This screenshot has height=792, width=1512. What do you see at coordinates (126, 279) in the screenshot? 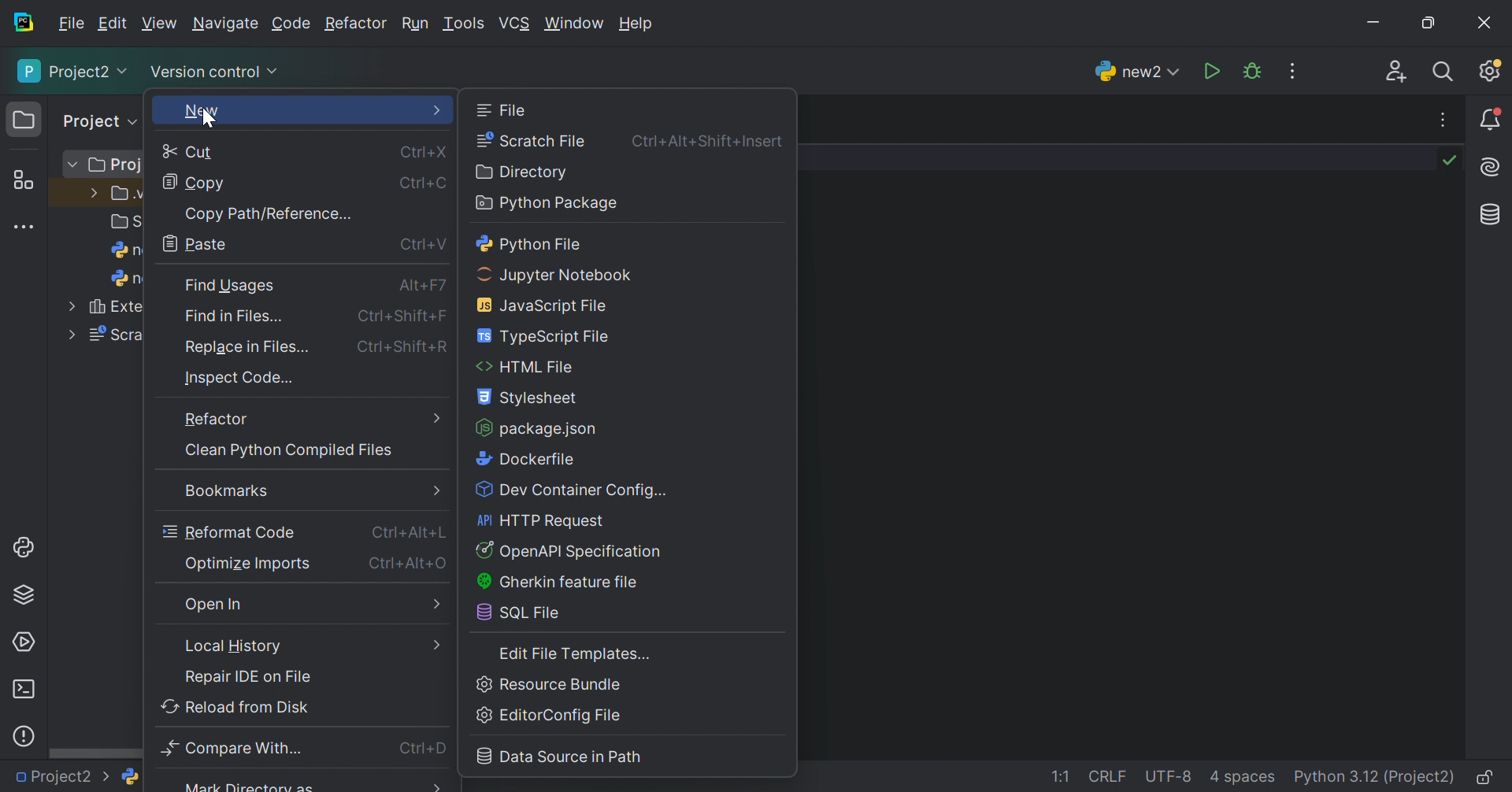
I see `n` at bounding box center [126, 279].